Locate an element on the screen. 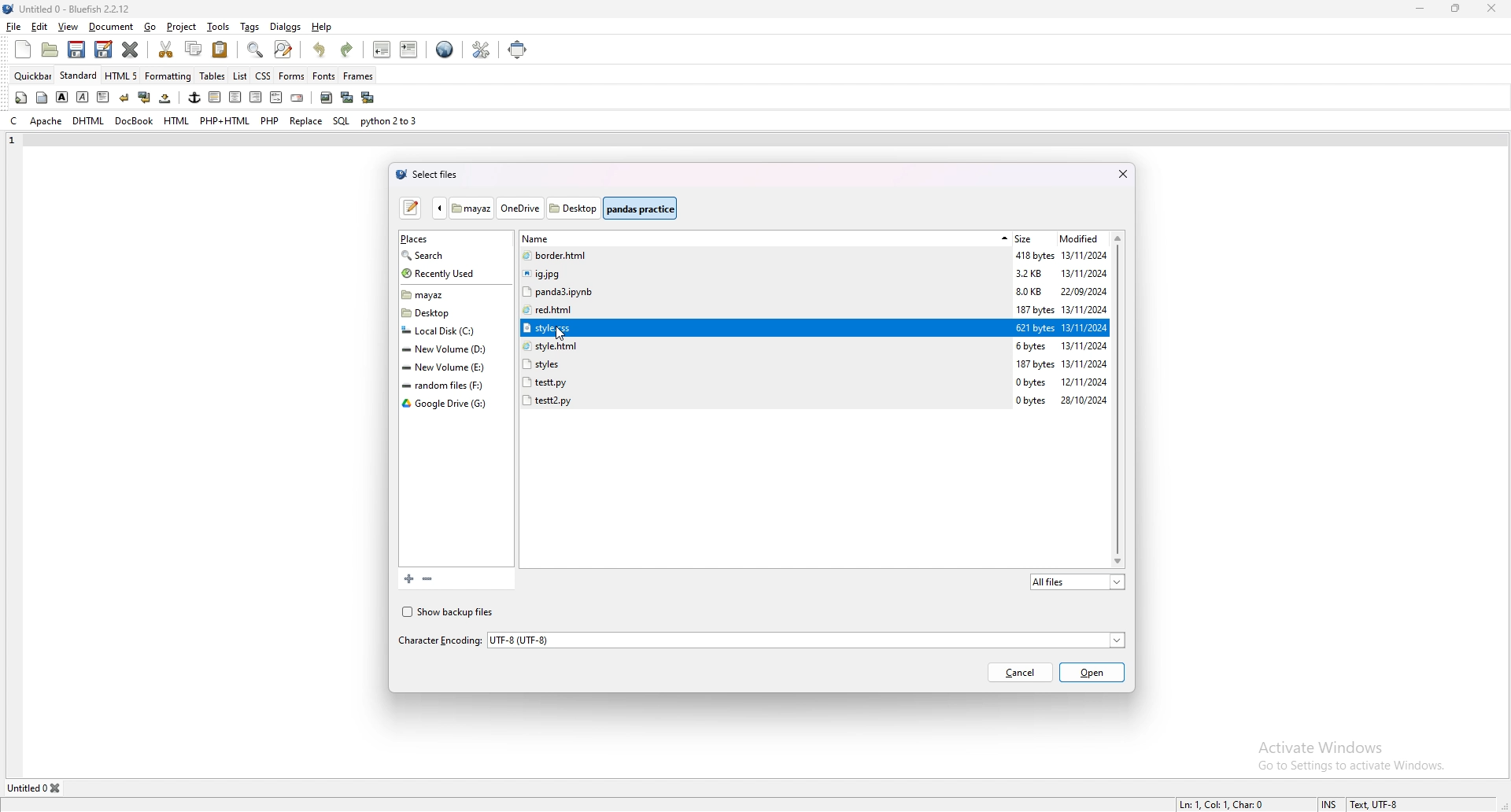  apache is located at coordinates (47, 121).